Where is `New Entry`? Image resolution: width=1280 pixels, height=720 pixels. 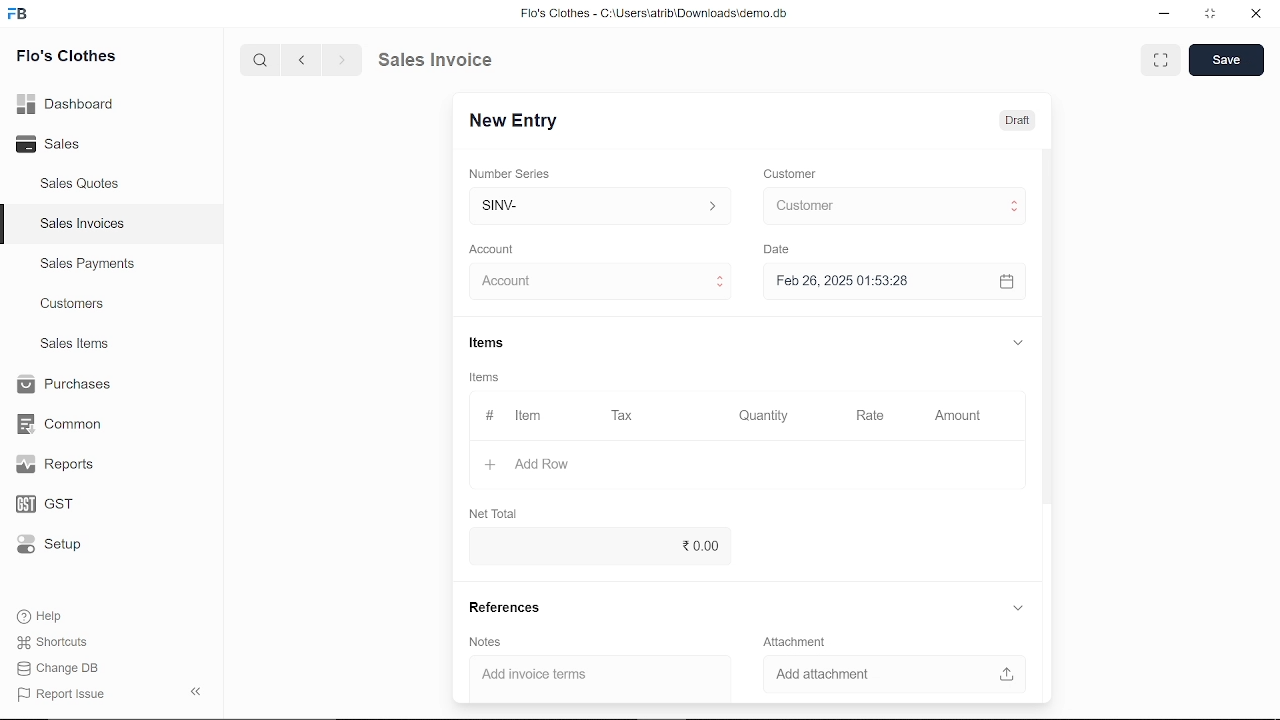 New Entry is located at coordinates (521, 121).